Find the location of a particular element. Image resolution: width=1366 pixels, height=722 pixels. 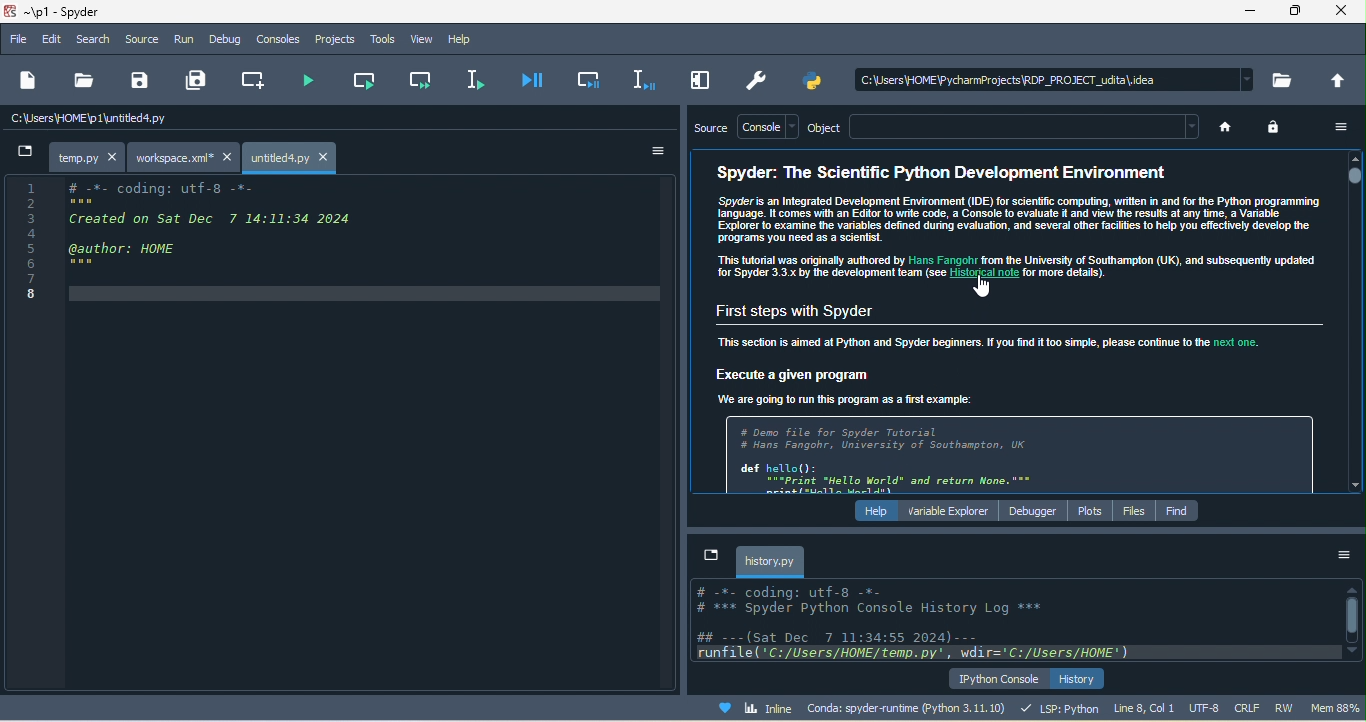

browse is located at coordinates (1279, 80).